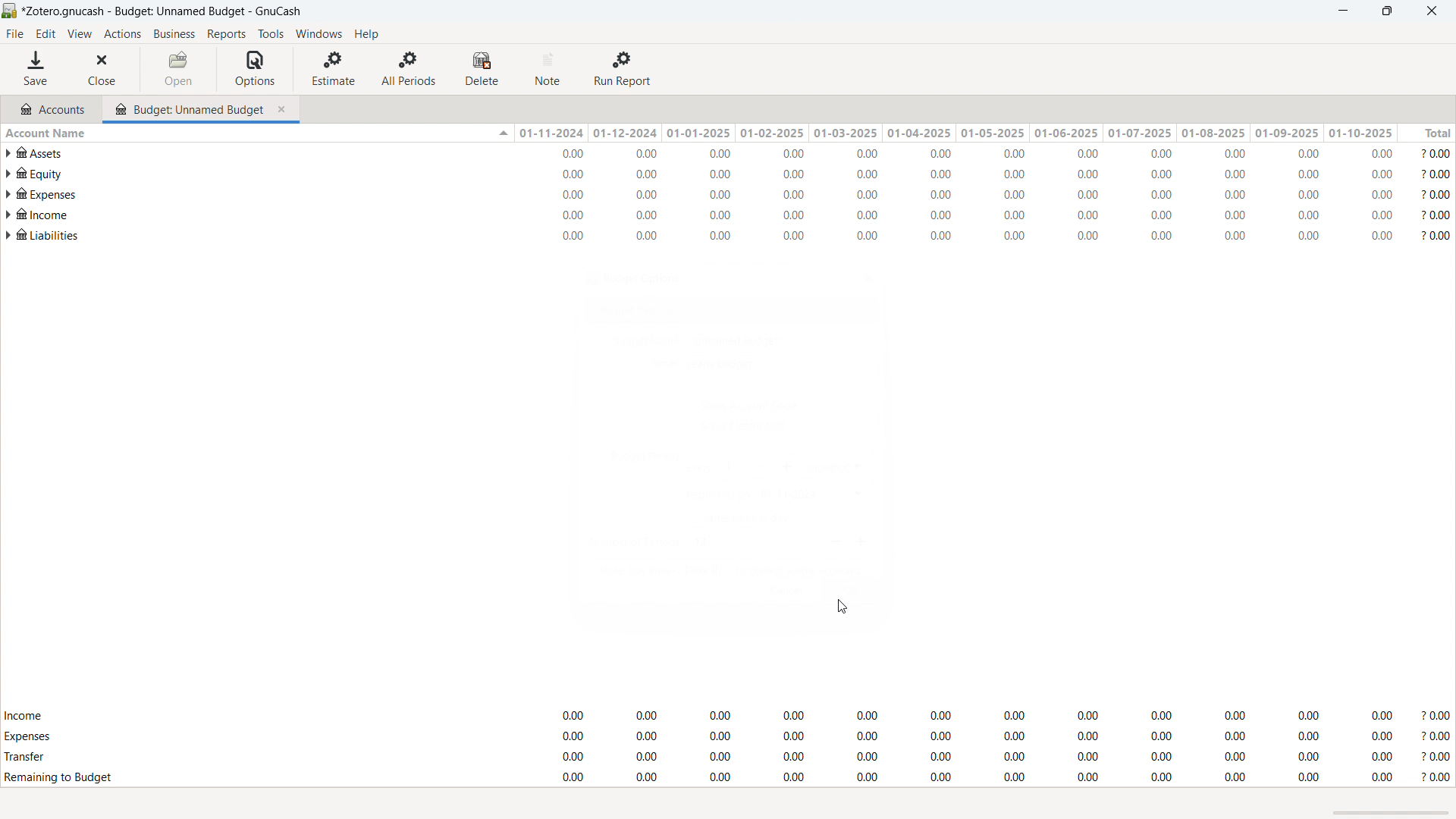 Image resolution: width=1456 pixels, height=819 pixels. What do you see at coordinates (991, 133) in the screenshot?
I see `01-05-2025` at bounding box center [991, 133].